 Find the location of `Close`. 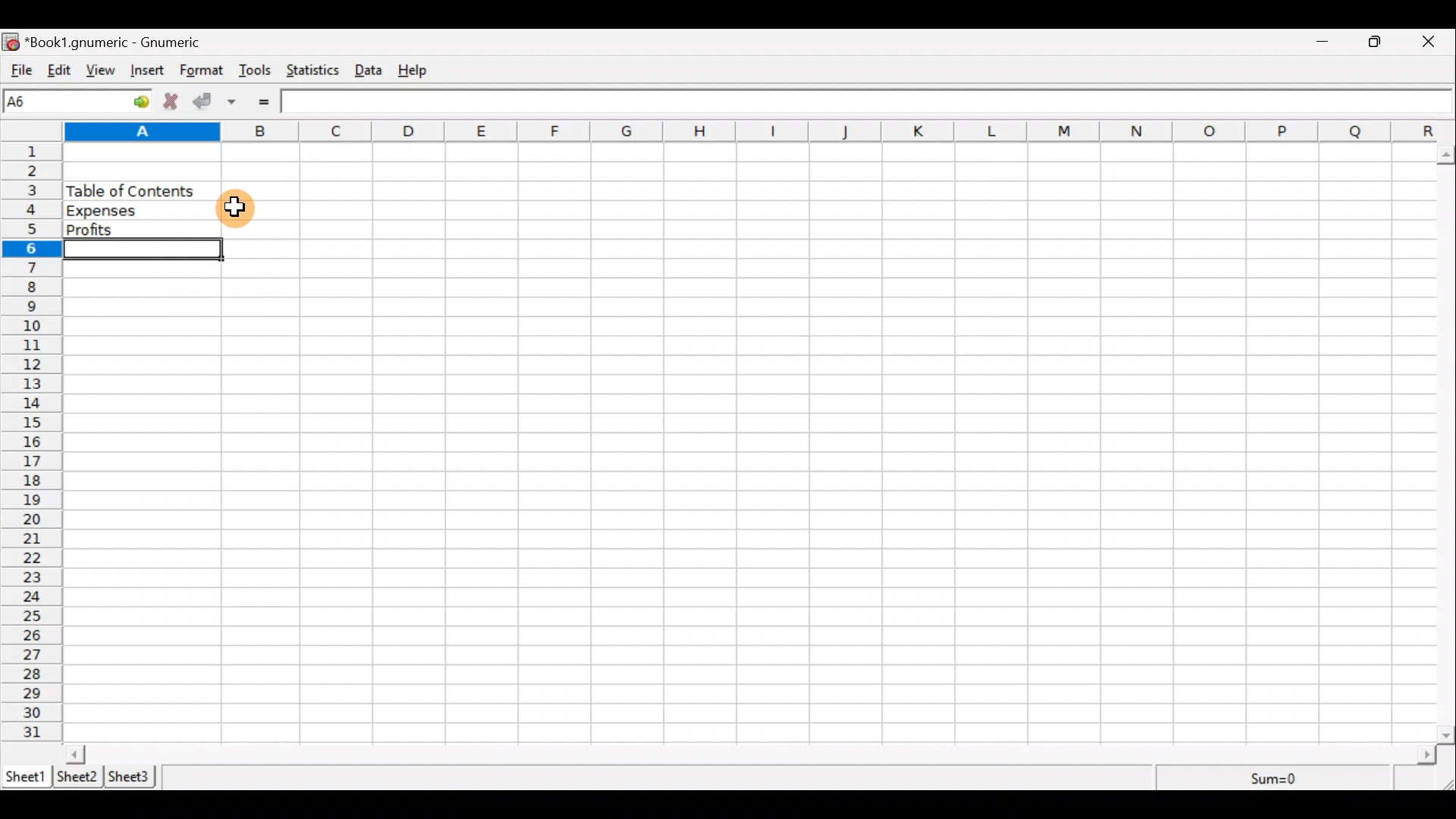

Close is located at coordinates (1435, 42).